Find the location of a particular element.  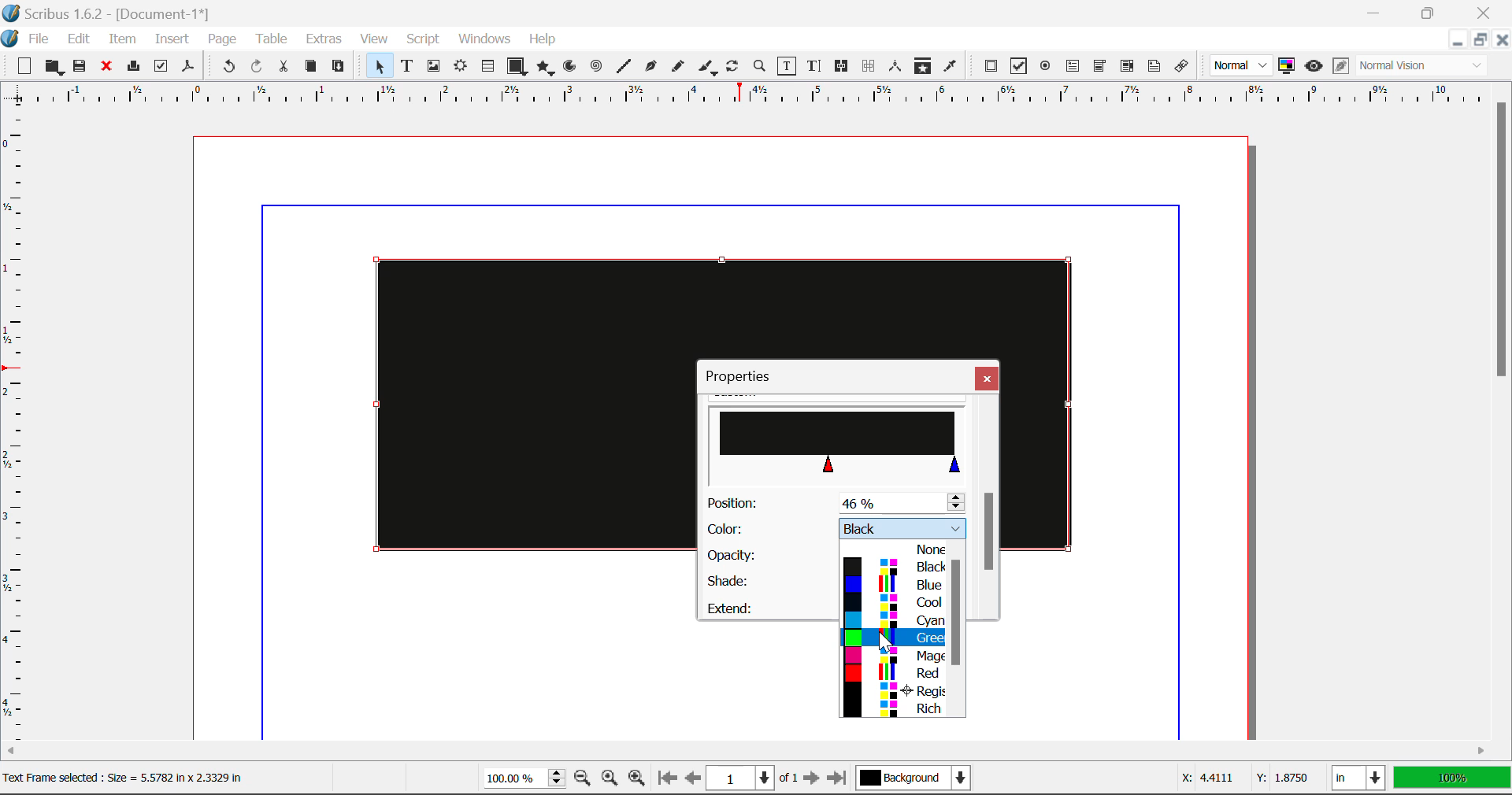

PDF Radio Button is located at coordinates (1045, 68).